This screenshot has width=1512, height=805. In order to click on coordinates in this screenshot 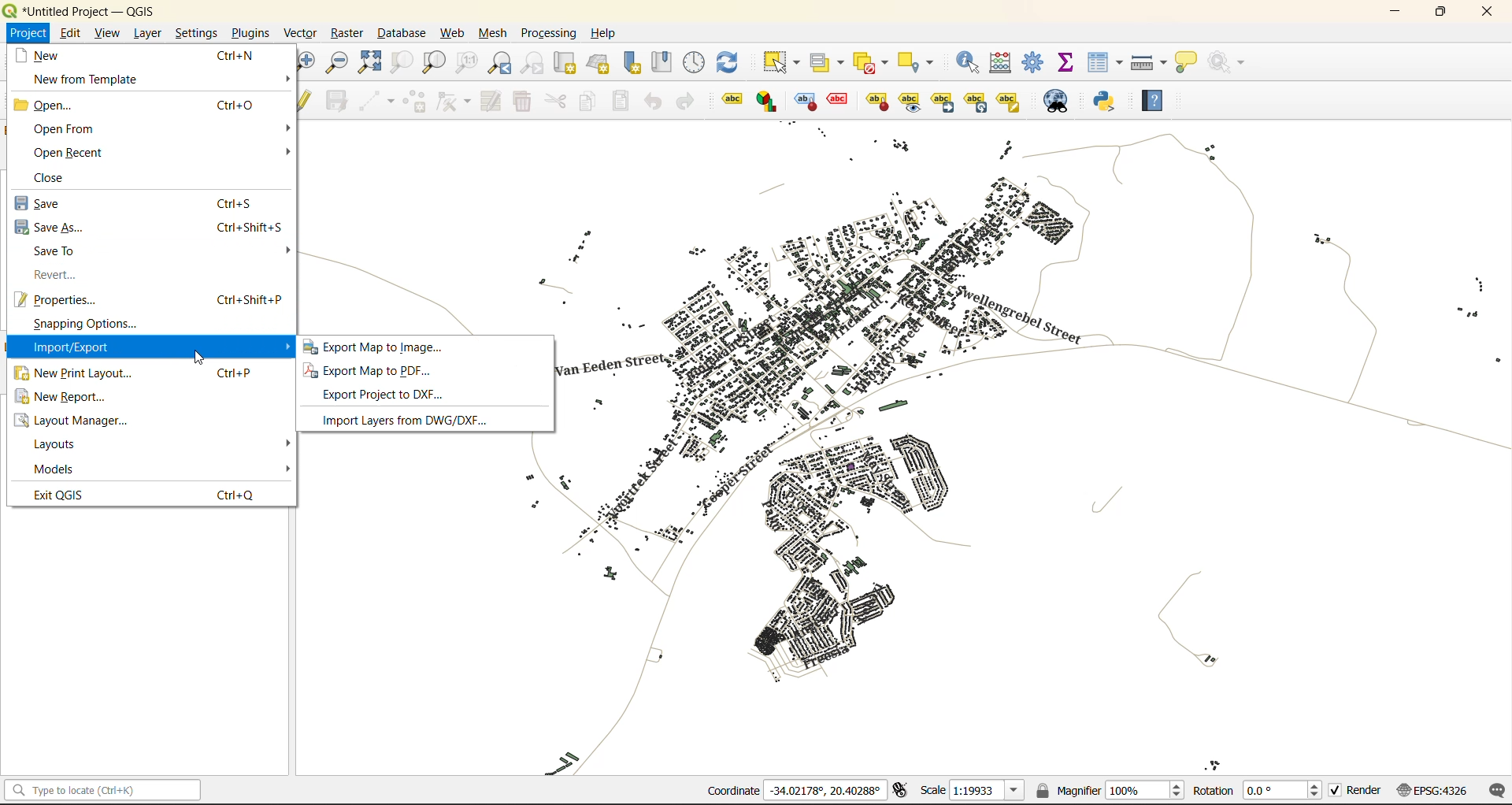, I will do `click(795, 792)`.